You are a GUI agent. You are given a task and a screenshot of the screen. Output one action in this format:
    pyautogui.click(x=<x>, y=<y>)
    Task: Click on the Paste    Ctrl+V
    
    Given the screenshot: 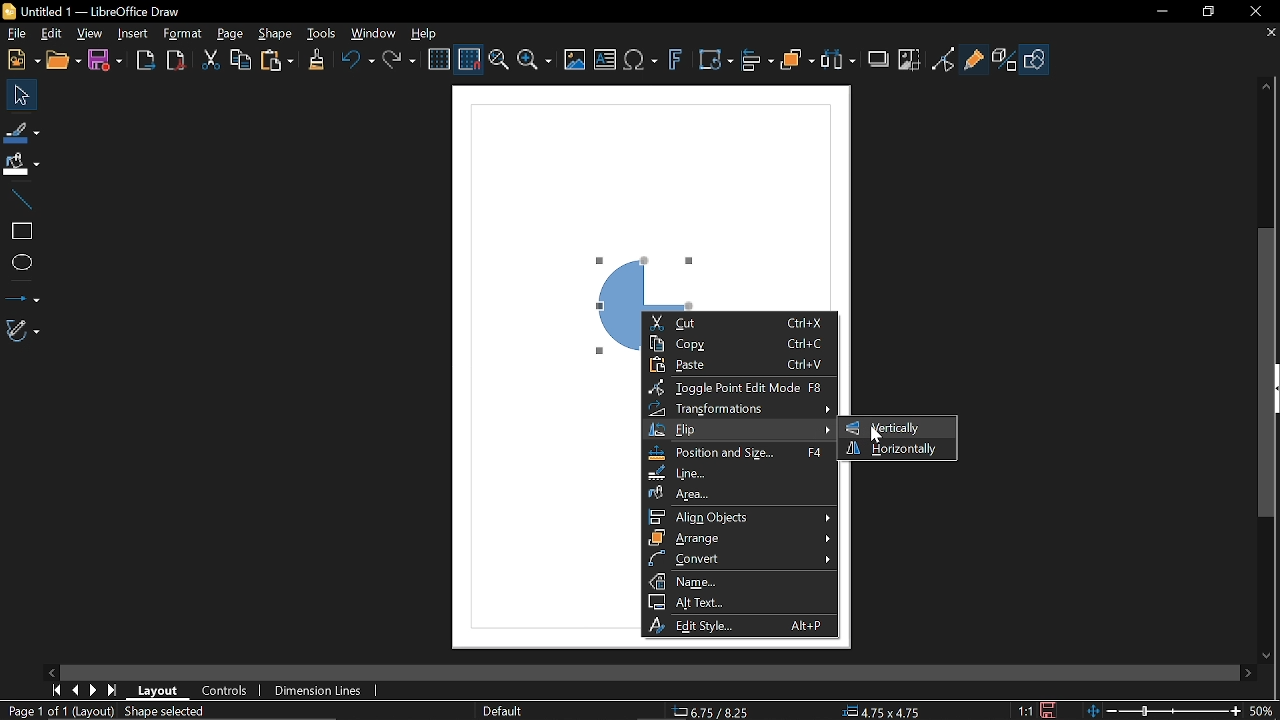 What is the action you would take?
    pyautogui.click(x=737, y=365)
    